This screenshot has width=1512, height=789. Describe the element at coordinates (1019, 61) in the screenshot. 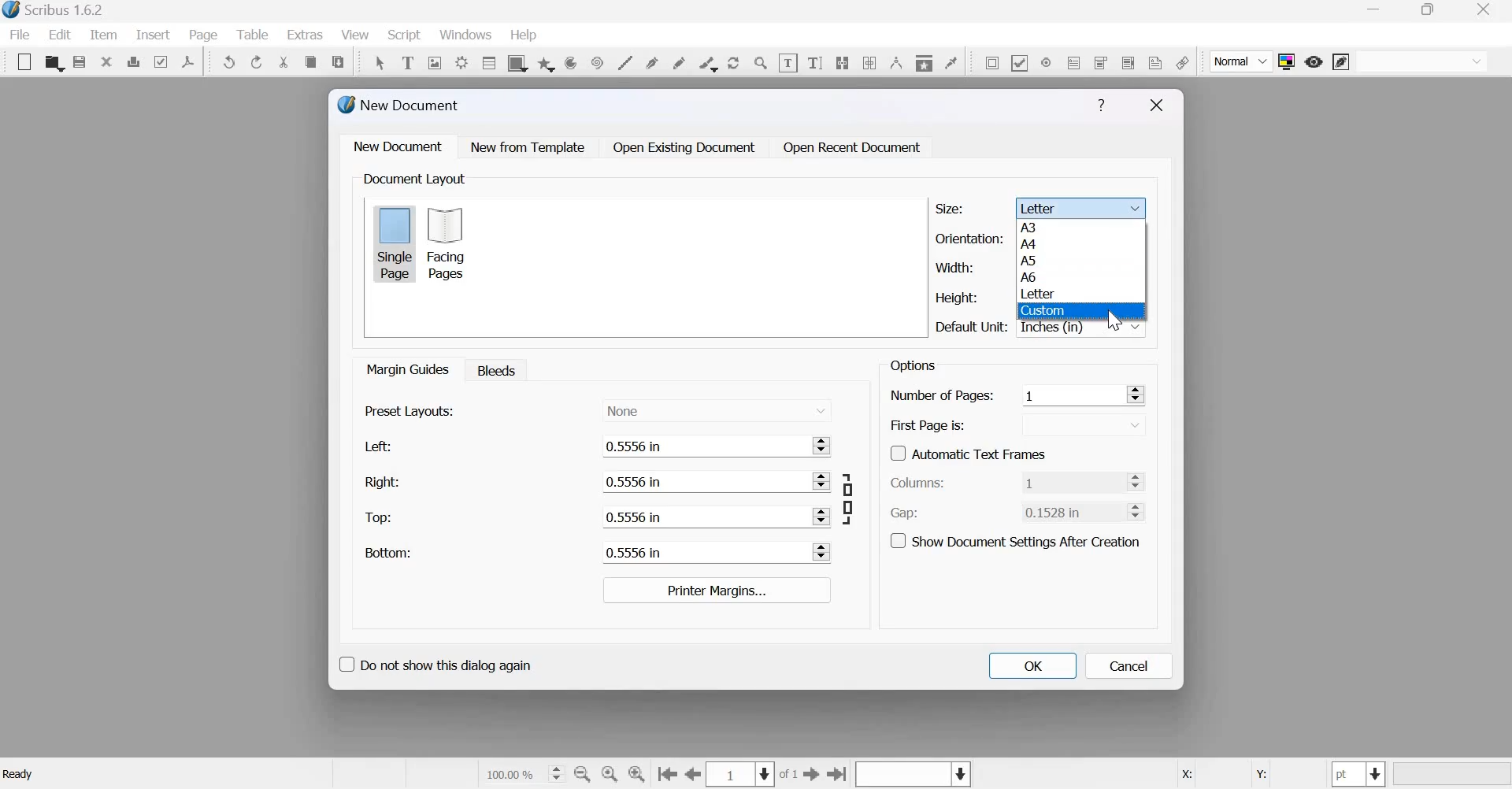

I see `PDF check box` at that location.